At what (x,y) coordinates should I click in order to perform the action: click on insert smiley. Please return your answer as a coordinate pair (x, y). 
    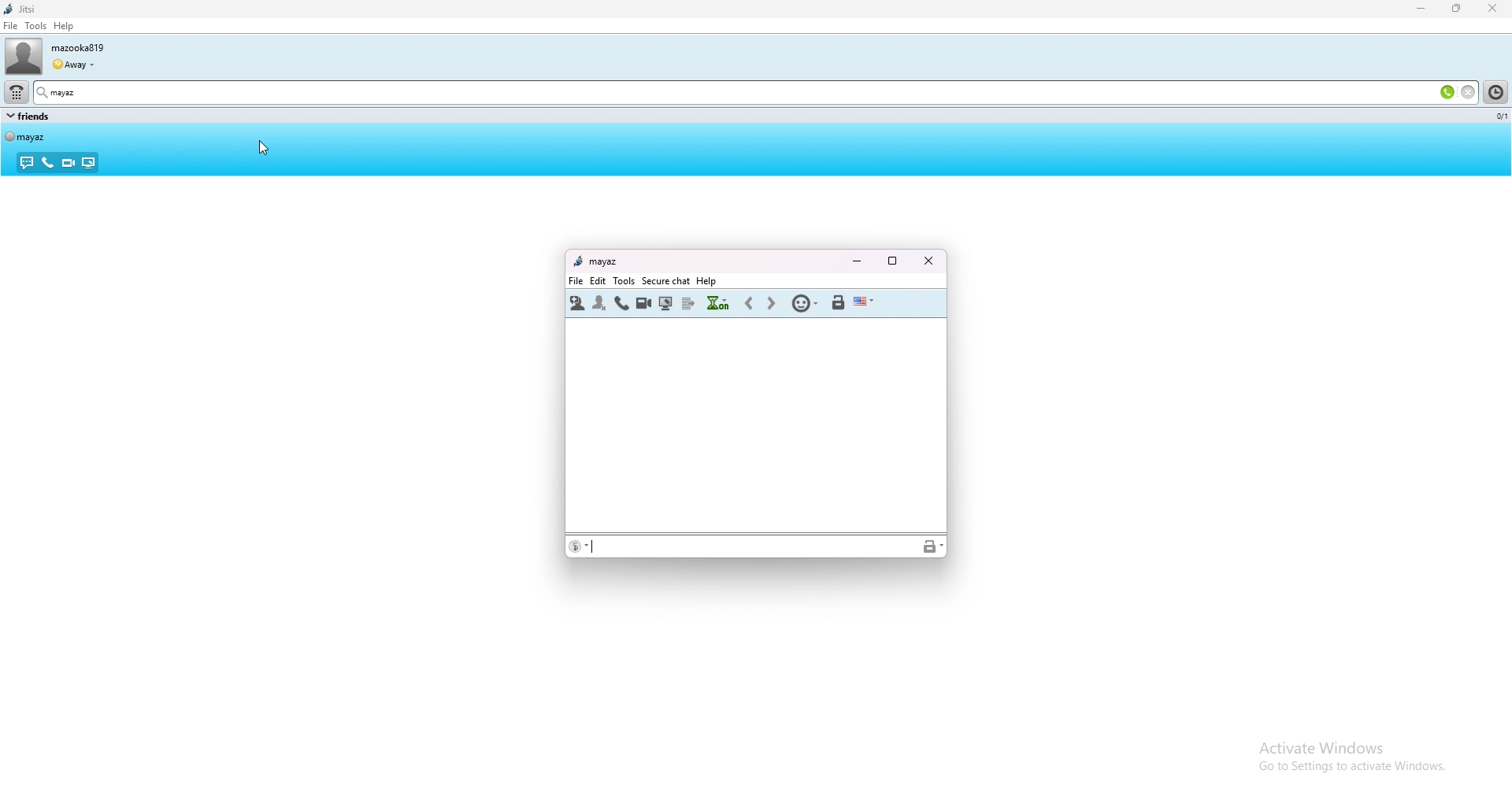
    Looking at the image, I should click on (806, 302).